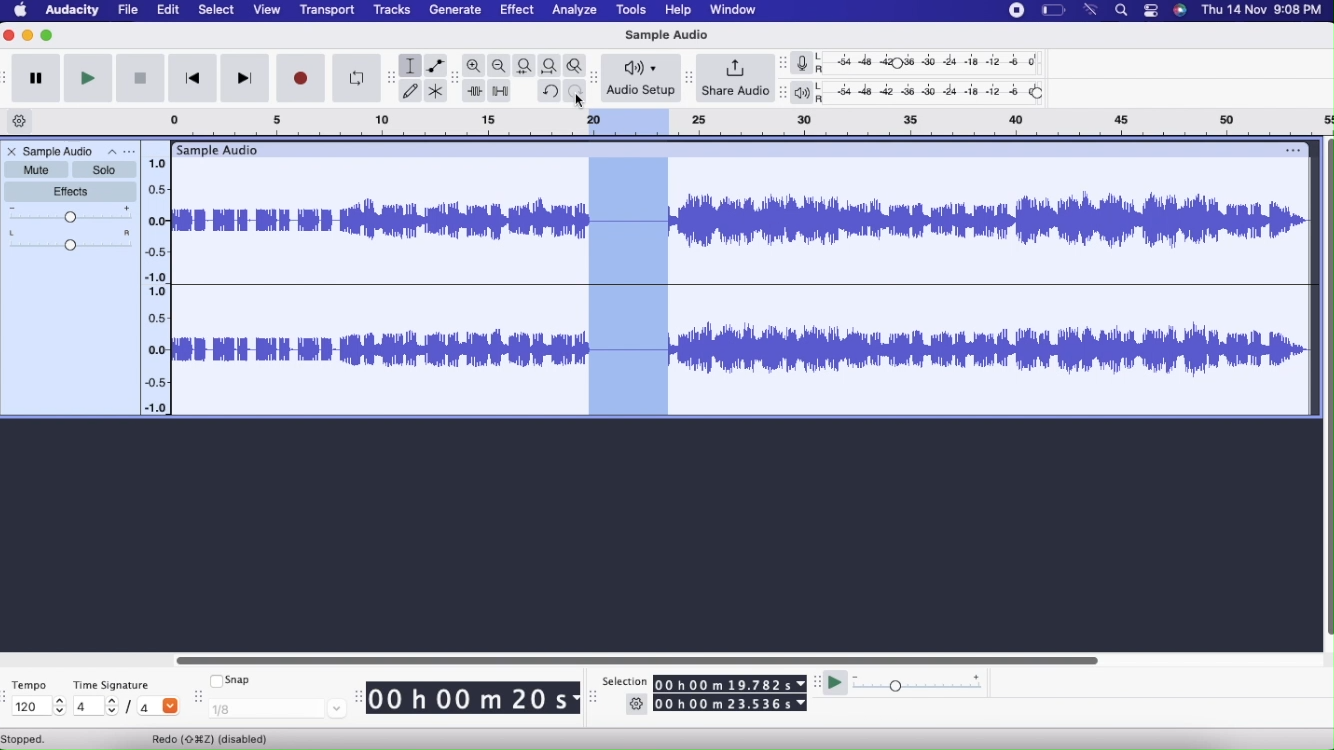  What do you see at coordinates (519, 10) in the screenshot?
I see `Effect` at bounding box center [519, 10].